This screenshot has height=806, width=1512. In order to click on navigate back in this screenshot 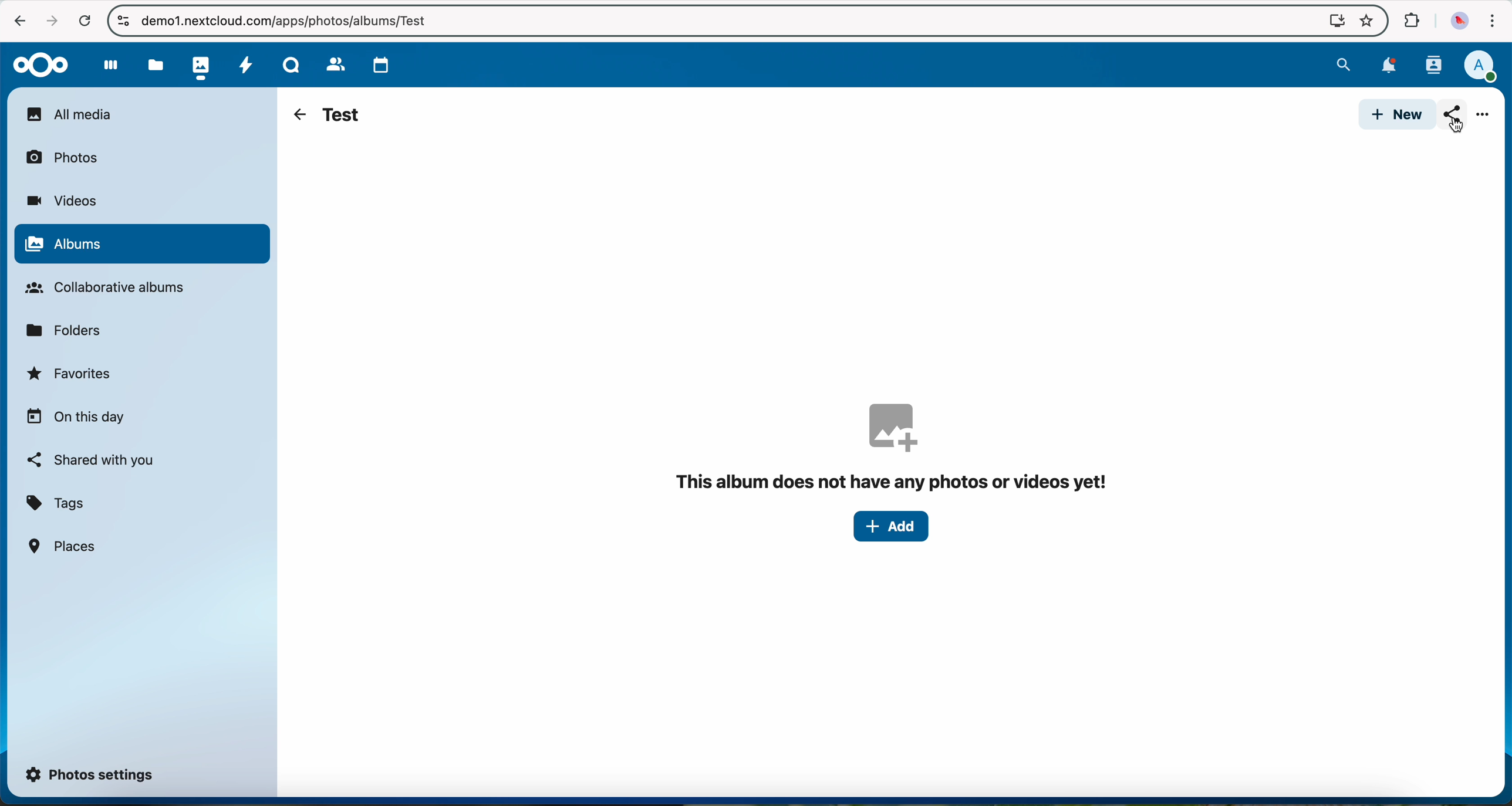, I will do `click(15, 19)`.